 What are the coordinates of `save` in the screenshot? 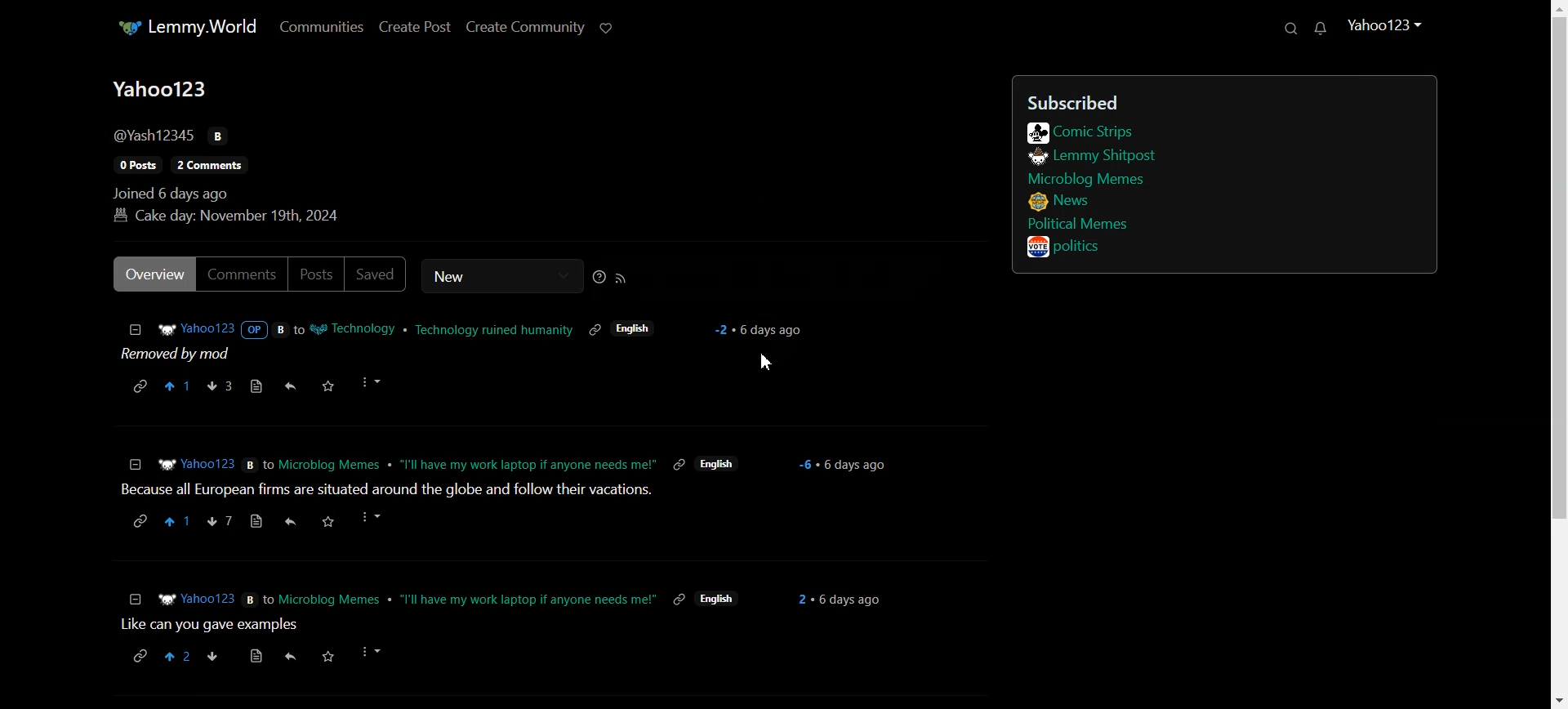 It's located at (330, 656).